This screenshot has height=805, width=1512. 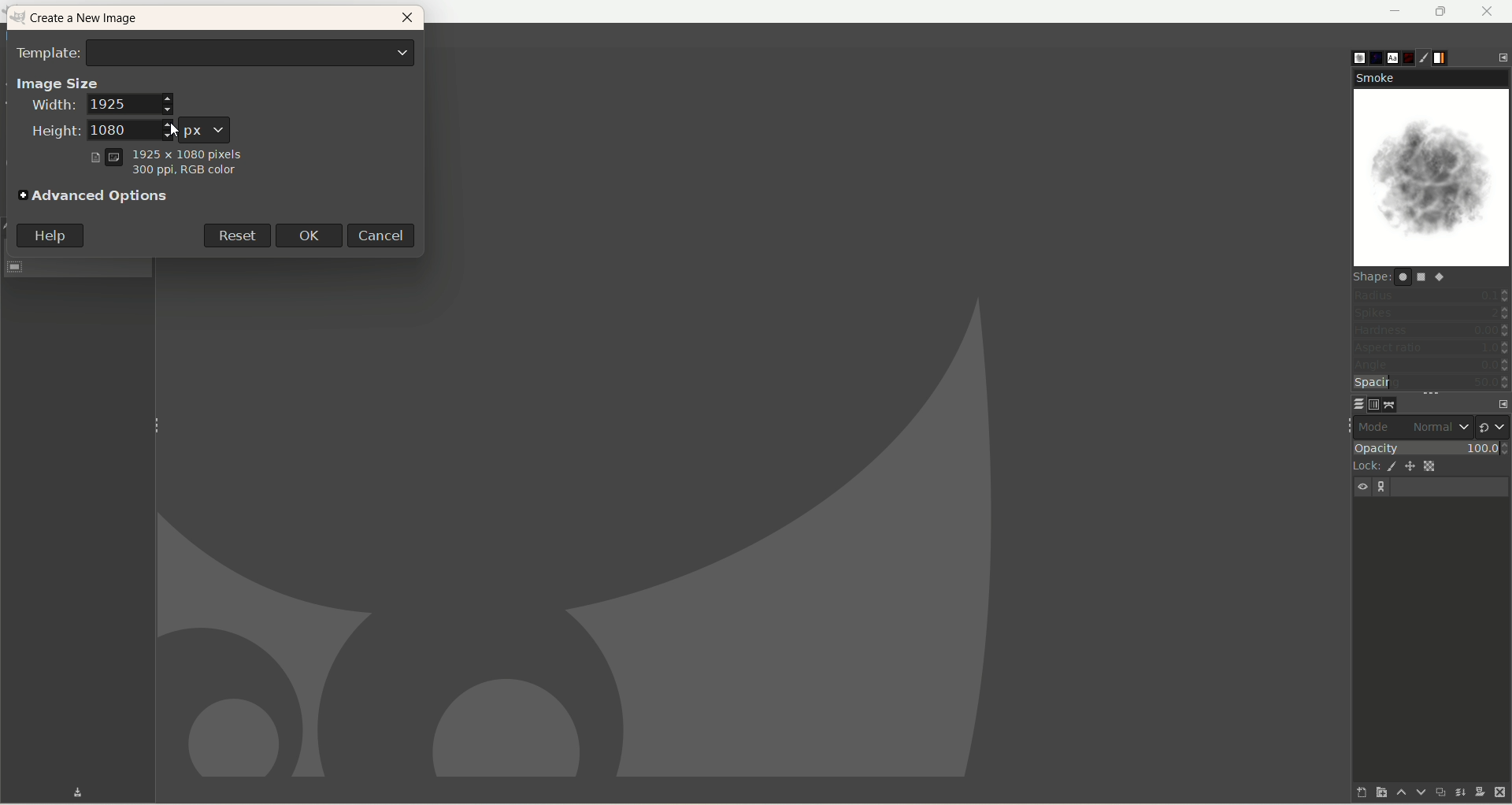 What do you see at coordinates (1499, 402) in the screenshot?
I see `configure this tab` at bounding box center [1499, 402].